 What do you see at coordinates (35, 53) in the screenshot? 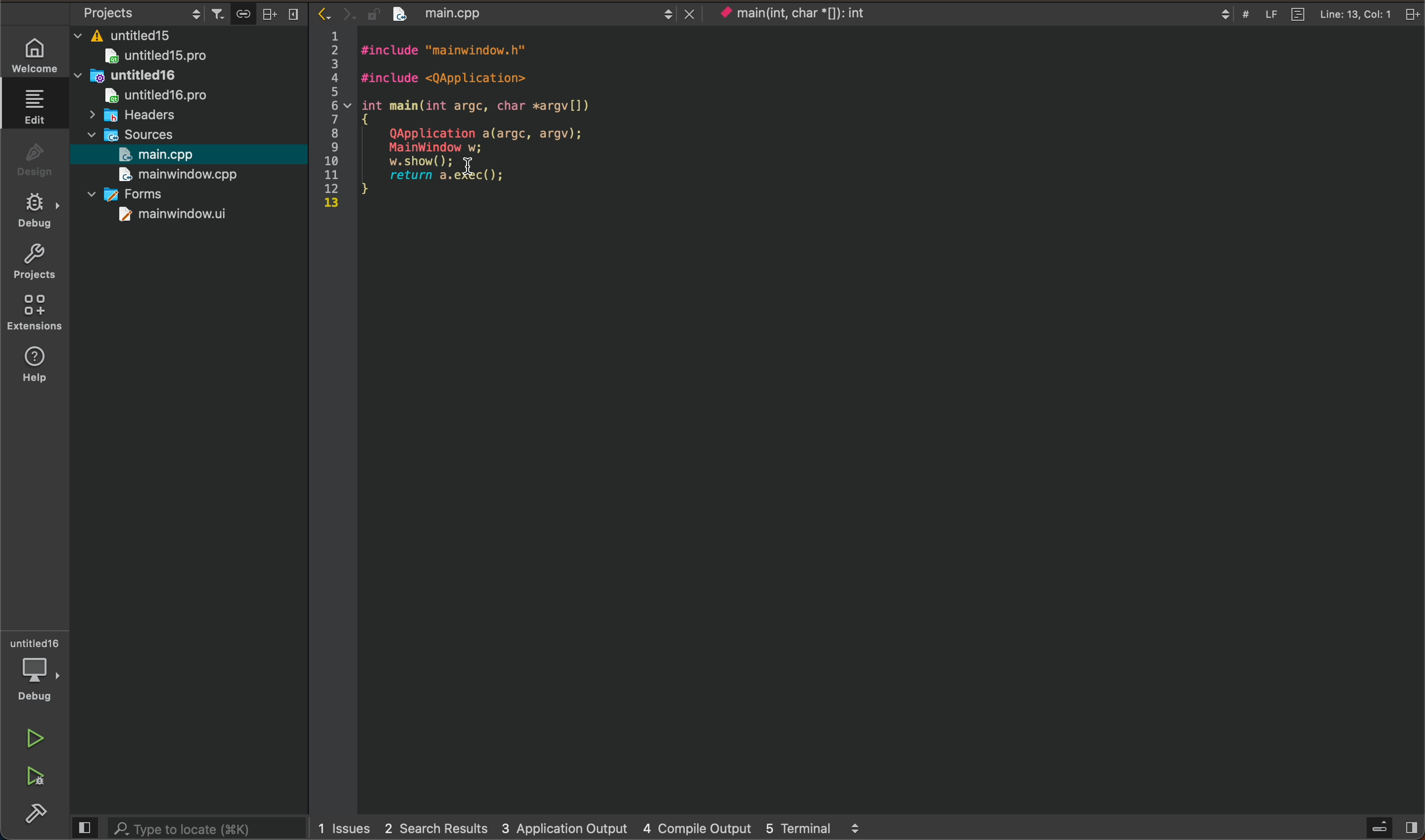
I see `WELCOME` at bounding box center [35, 53].